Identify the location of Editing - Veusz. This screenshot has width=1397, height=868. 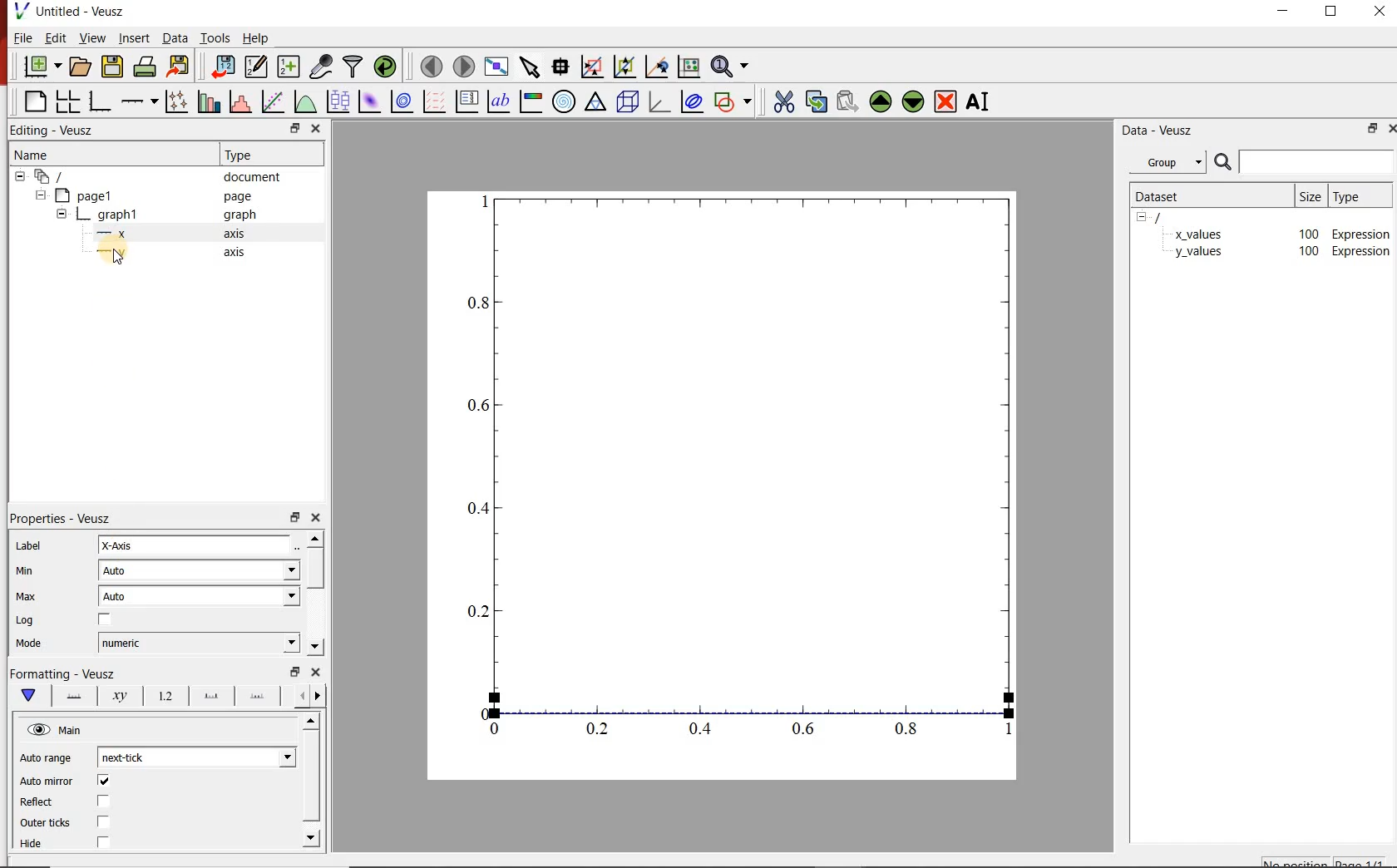
(53, 131).